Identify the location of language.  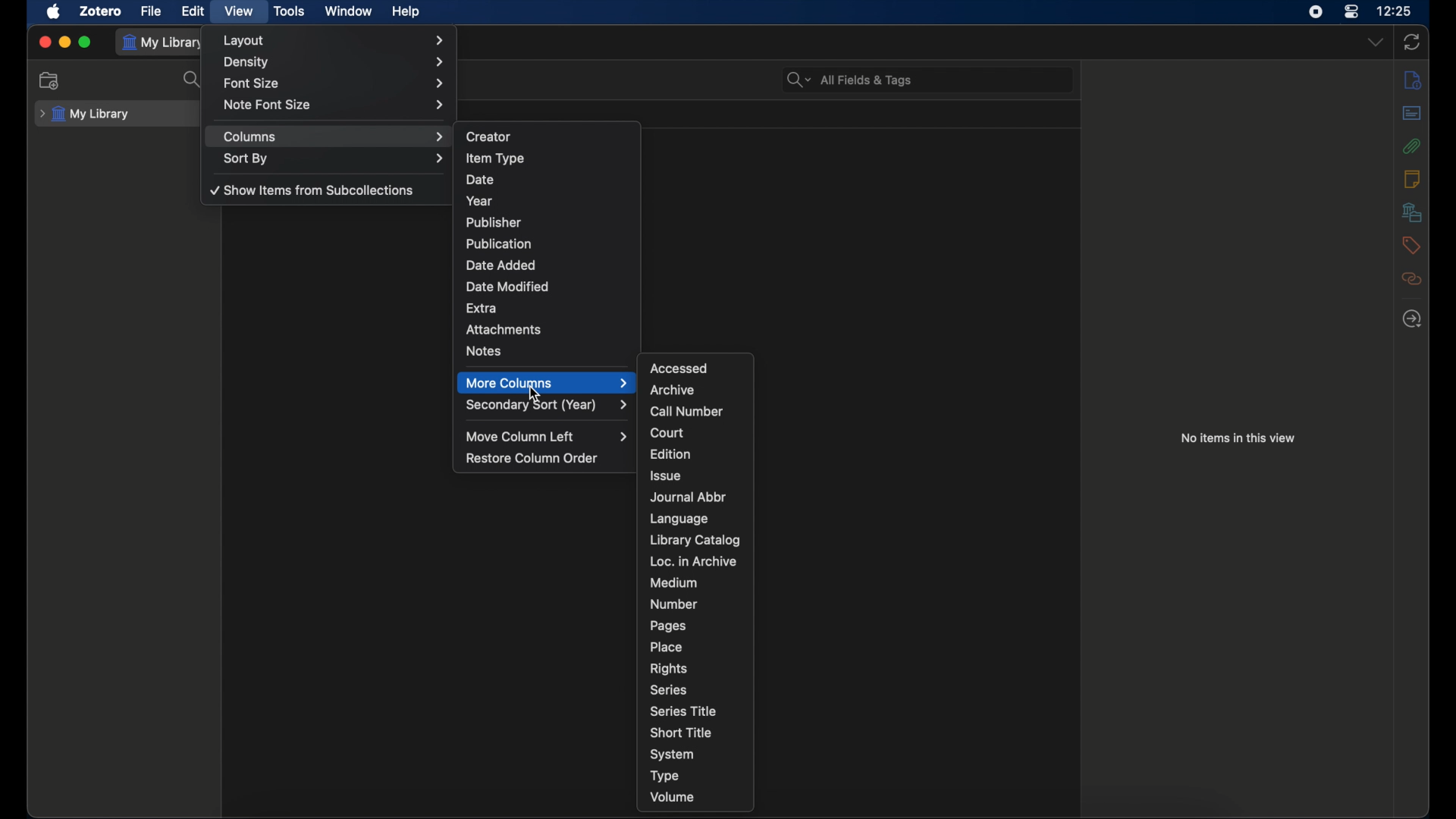
(679, 519).